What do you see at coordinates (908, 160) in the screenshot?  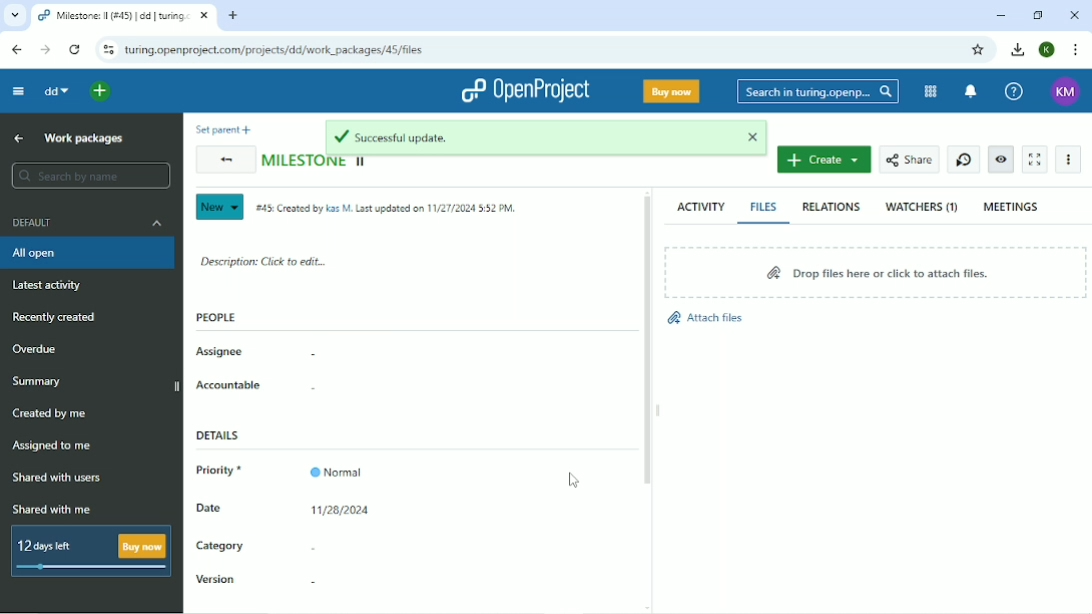 I see `Share` at bounding box center [908, 160].